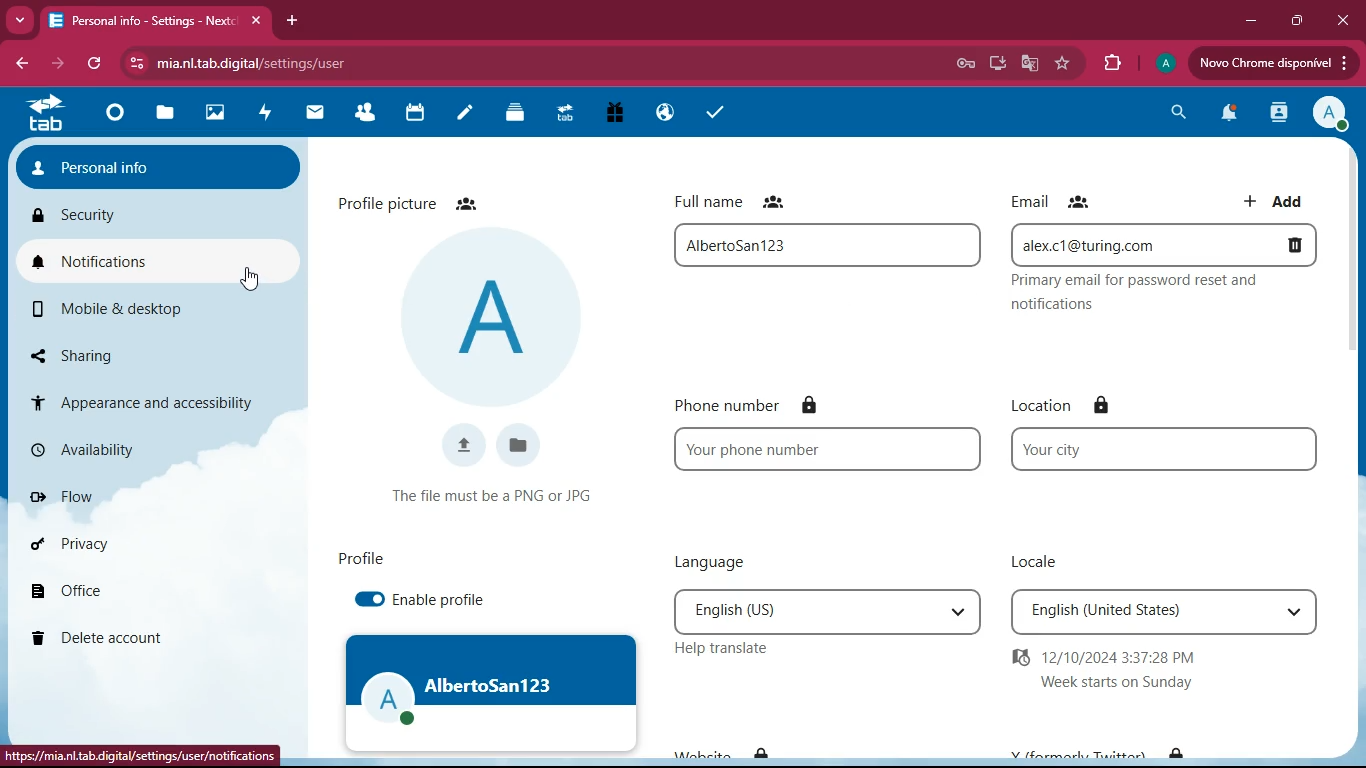 This screenshot has width=1366, height=768. Describe the element at coordinates (444, 601) in the screenshot. I see `enable` at that location.